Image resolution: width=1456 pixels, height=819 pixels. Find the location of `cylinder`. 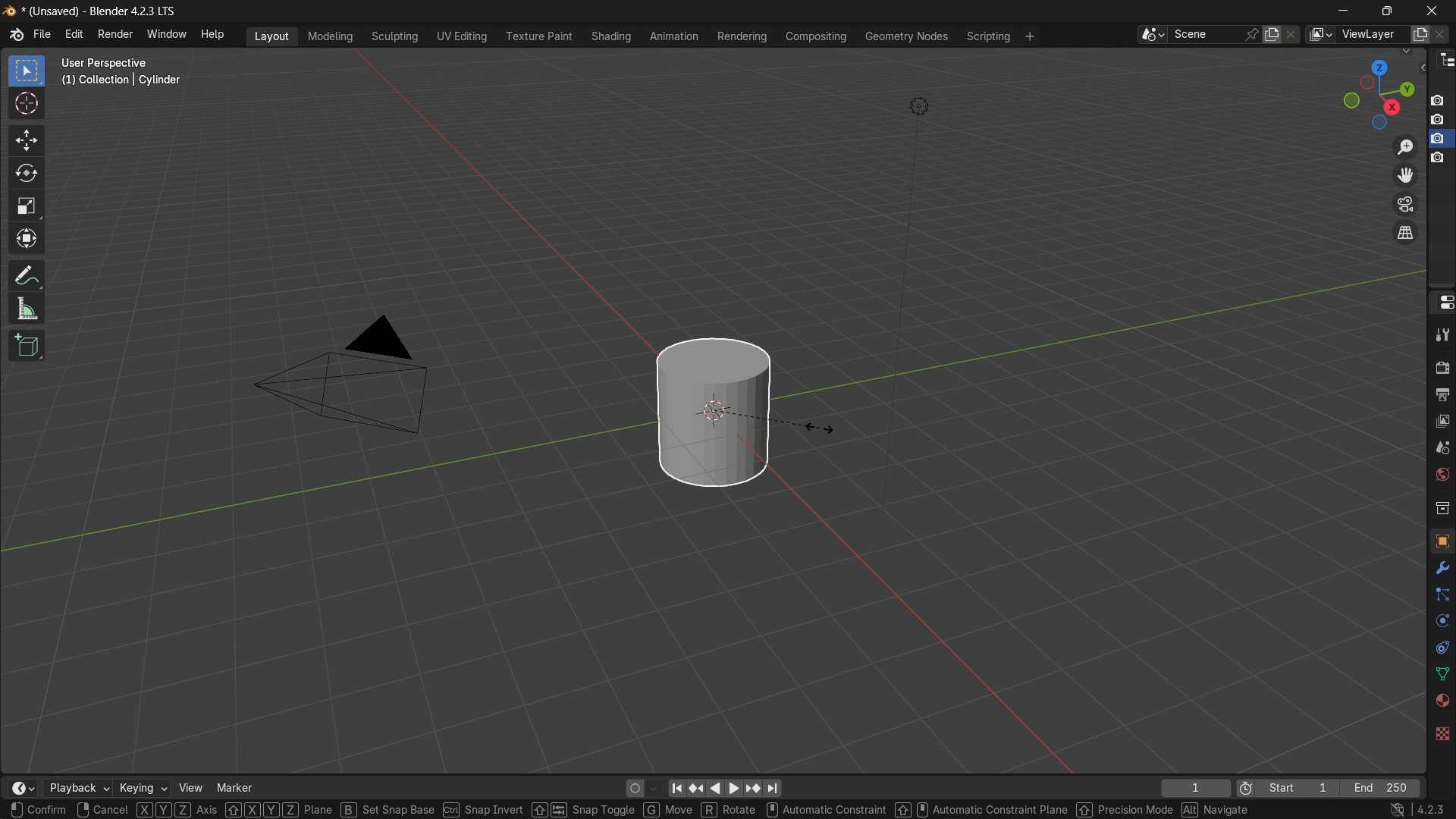

cylinder is located at coordinates (712, 410).